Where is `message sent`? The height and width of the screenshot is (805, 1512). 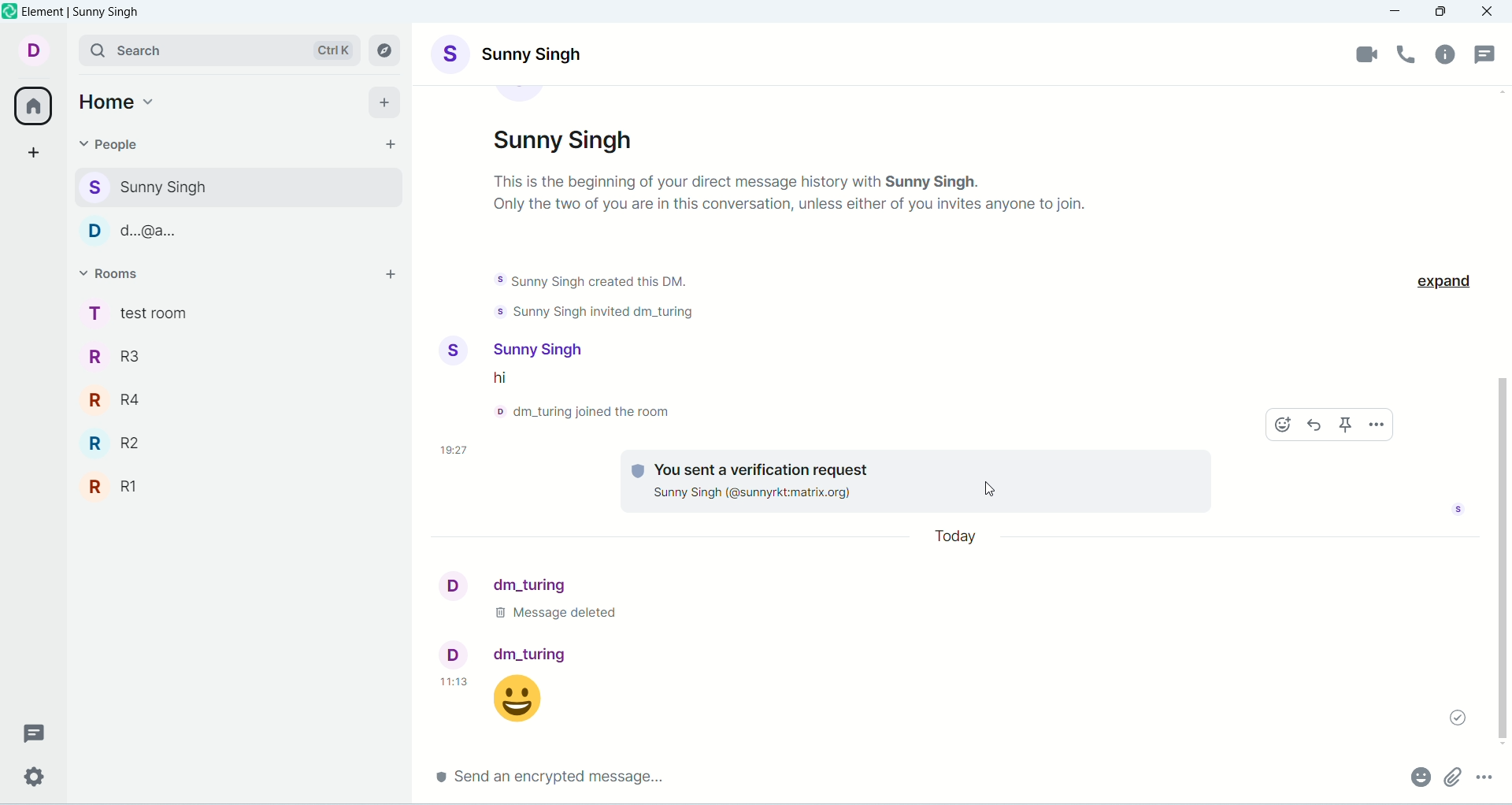 message sent is located at coordinates (536, 701).